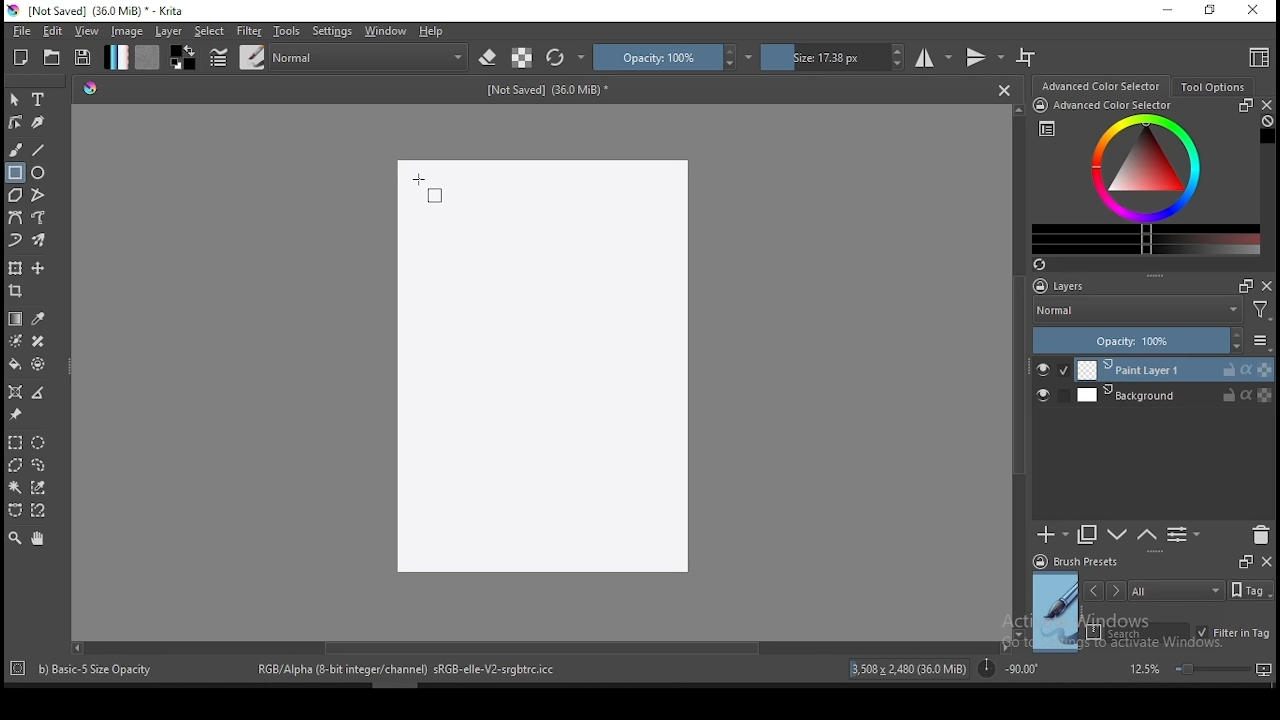 The height and width of the screenshot is (720, 1280). Describe the element at coordinates (1053, 370) in the screenshot. I see `layer visibility on/off` at that location.